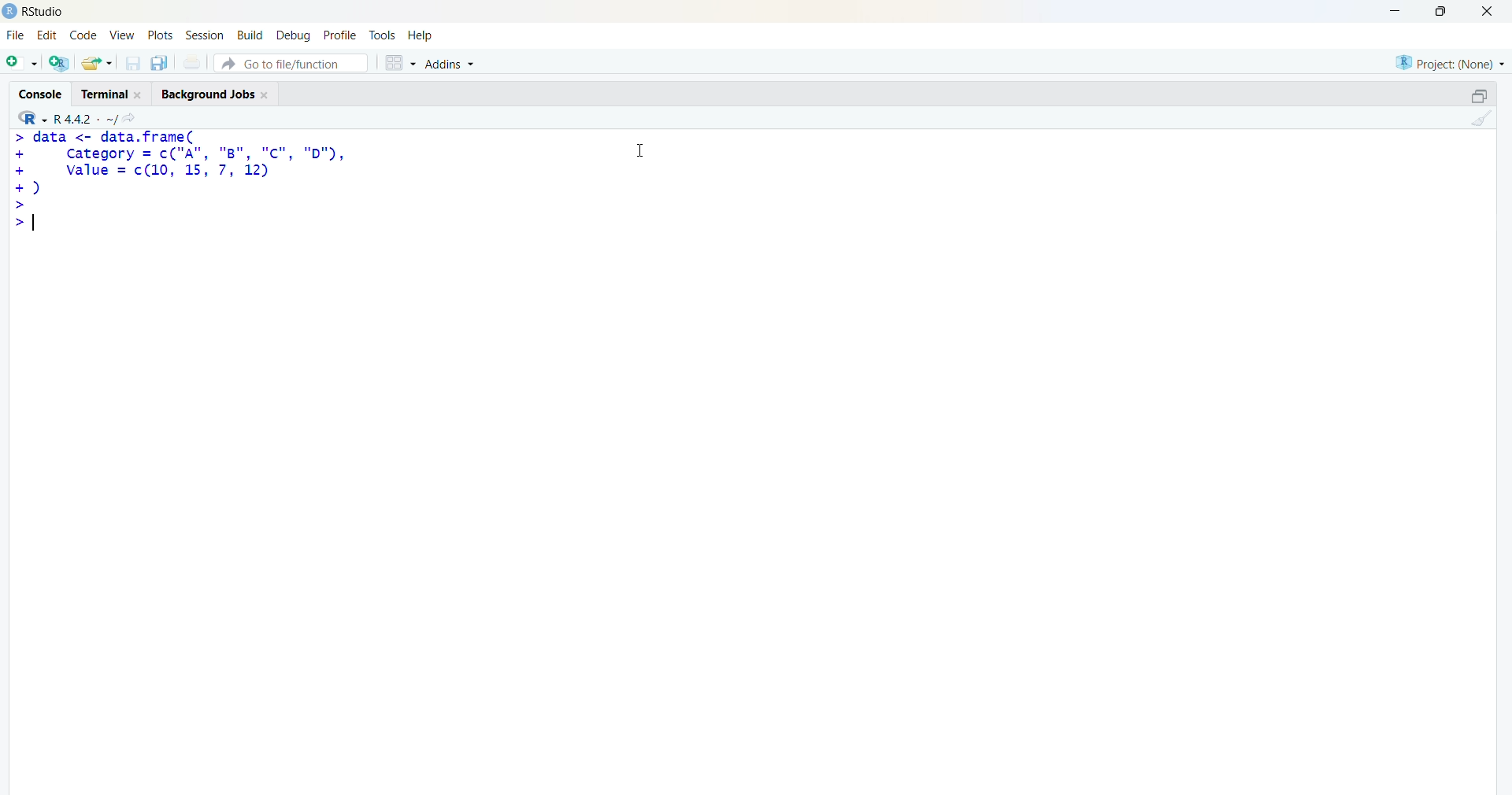  I want to click on Rstudio, so click(48, 12).